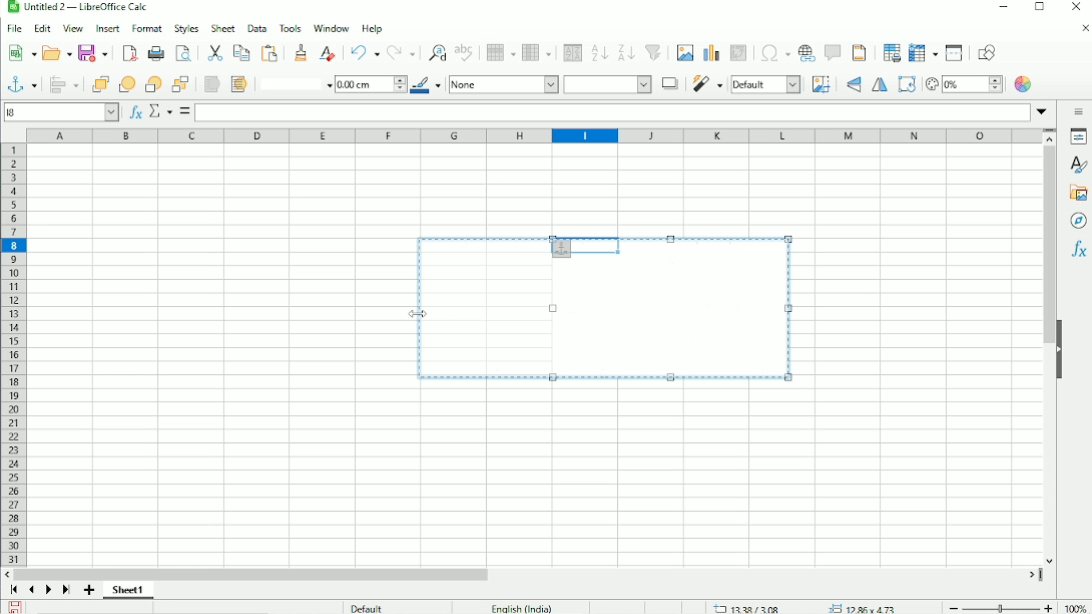 This screenshot has width=1092, height=614. Describe the element at coordinates (364, 53) in the screenshot. I see `Undo` at that location.